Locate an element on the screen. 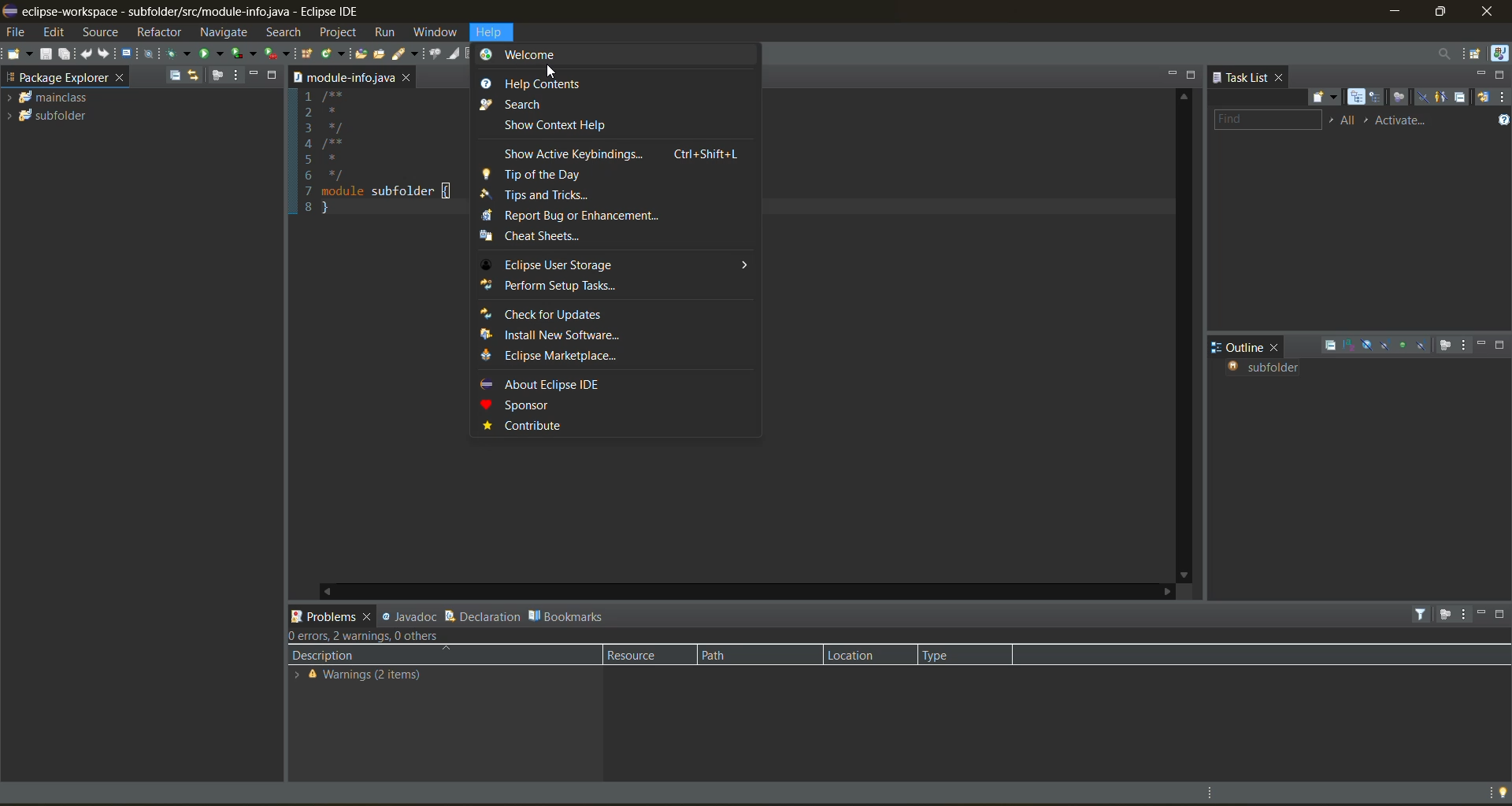 This screenshot has height=806, width=1512. module 1 is located at coordinates (53, 98).